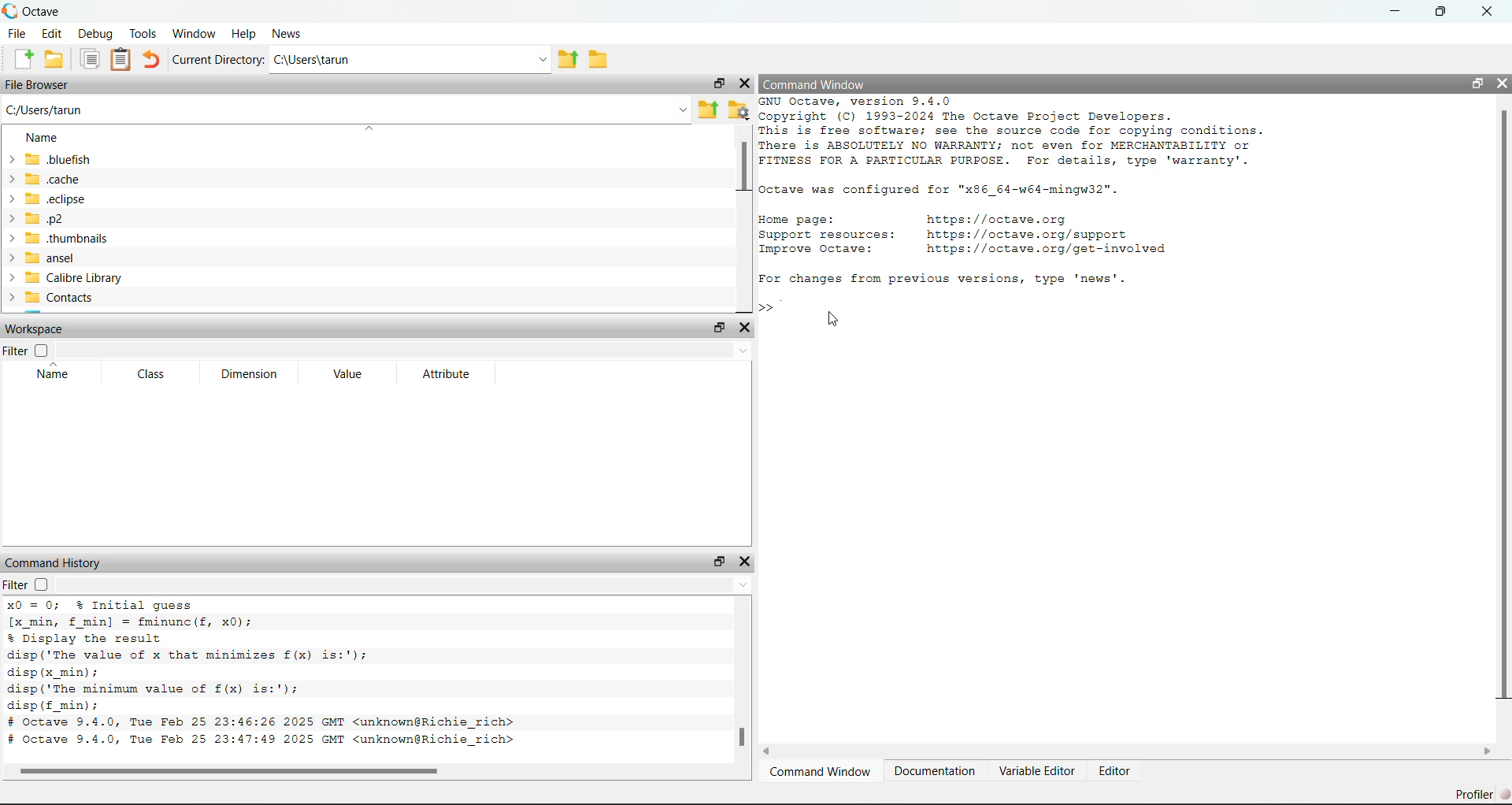  What do you see at coordinates (748, 328) in the screenshot?
I see `Close` at bounding box center [748, 328].